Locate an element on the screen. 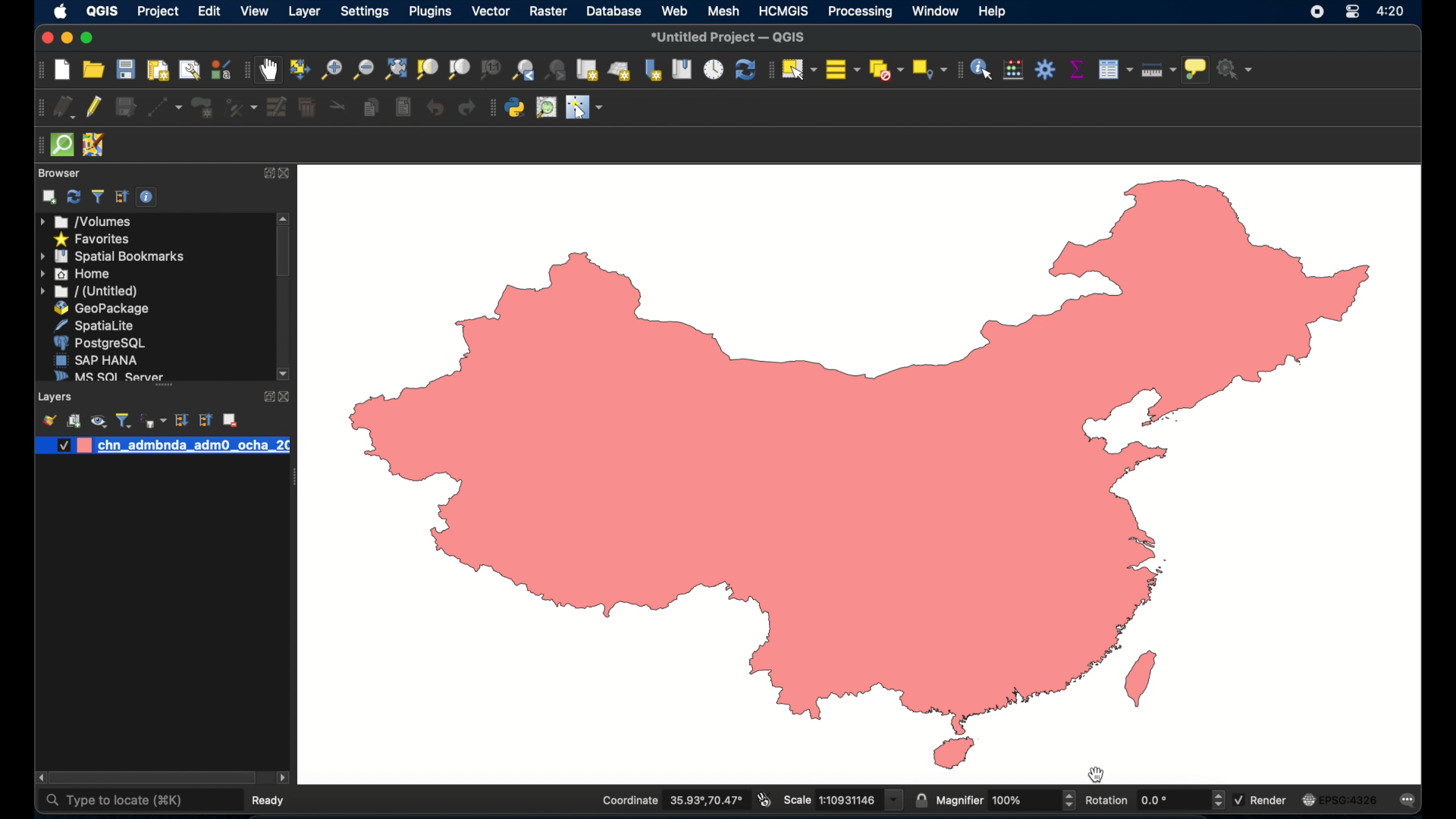 Image resolution: width=1456 pixels, height=819 pixels. HCMGIS is located at coordinates (783, 11).